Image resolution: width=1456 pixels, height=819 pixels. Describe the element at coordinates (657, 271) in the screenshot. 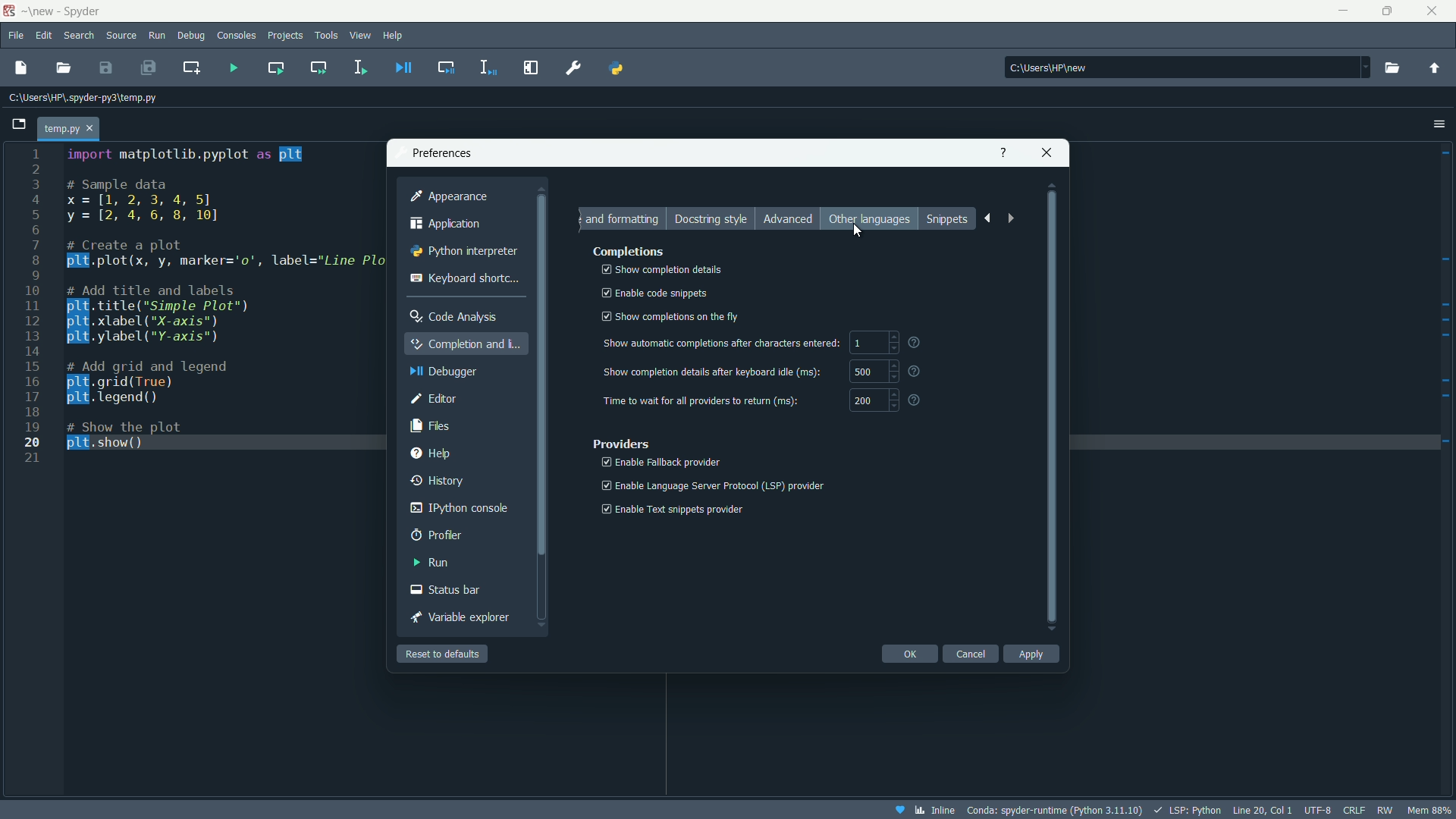

I see `show completion details` at that location.